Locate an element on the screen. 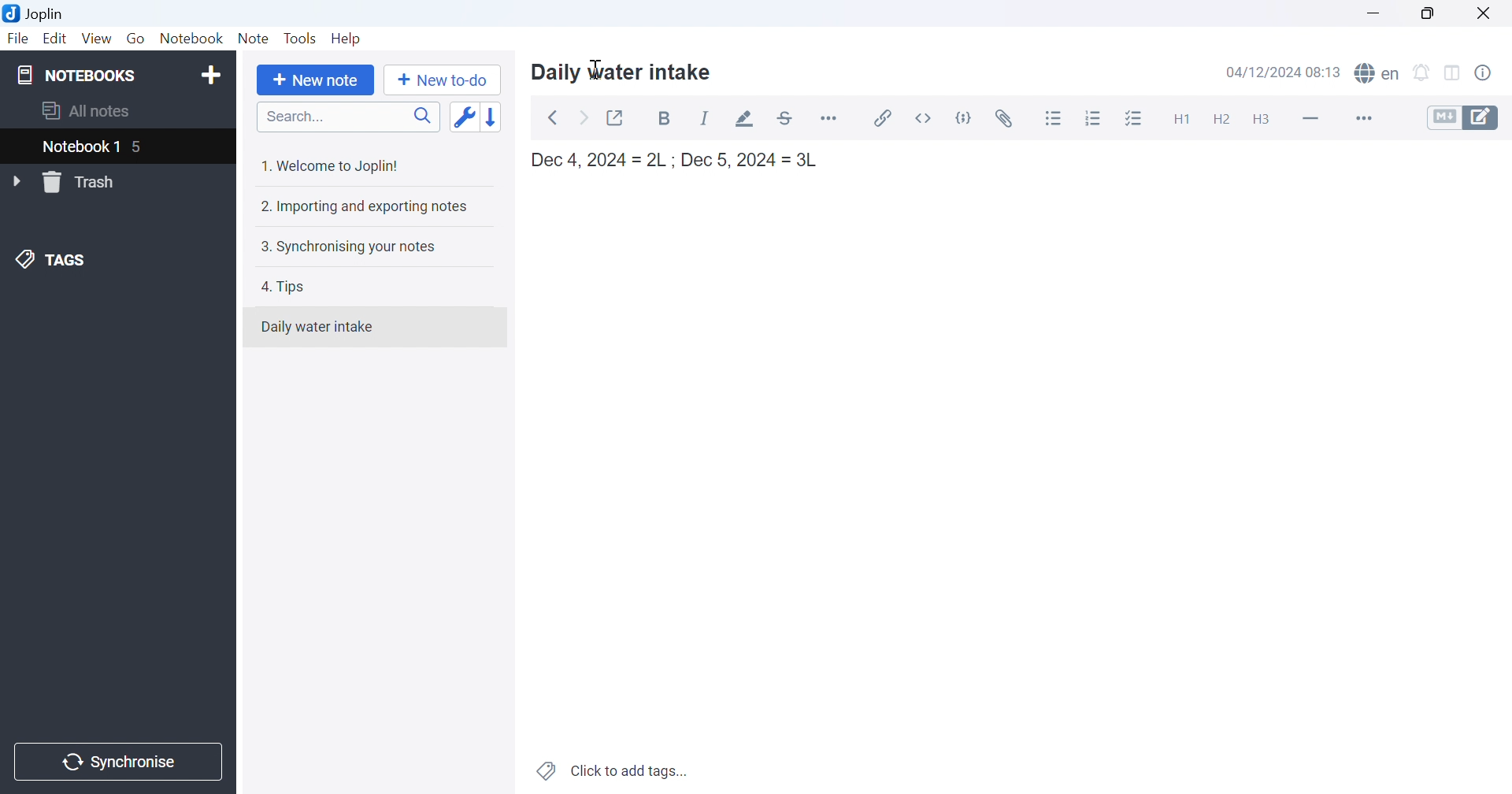 The height and width of the screenshot is (794, 1512). Search is located at coordinates (348, 117).